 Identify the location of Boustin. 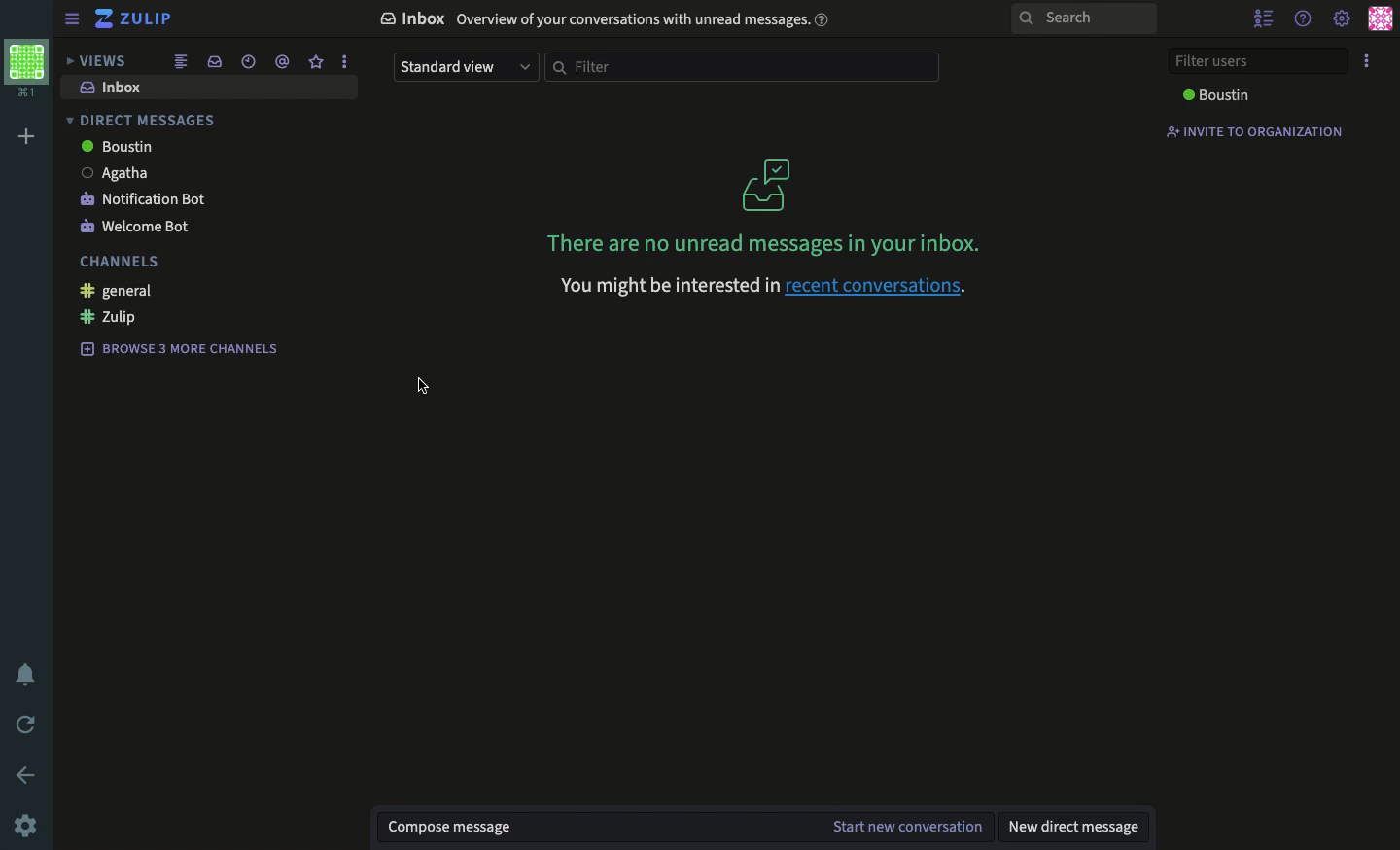
(1219, 95).